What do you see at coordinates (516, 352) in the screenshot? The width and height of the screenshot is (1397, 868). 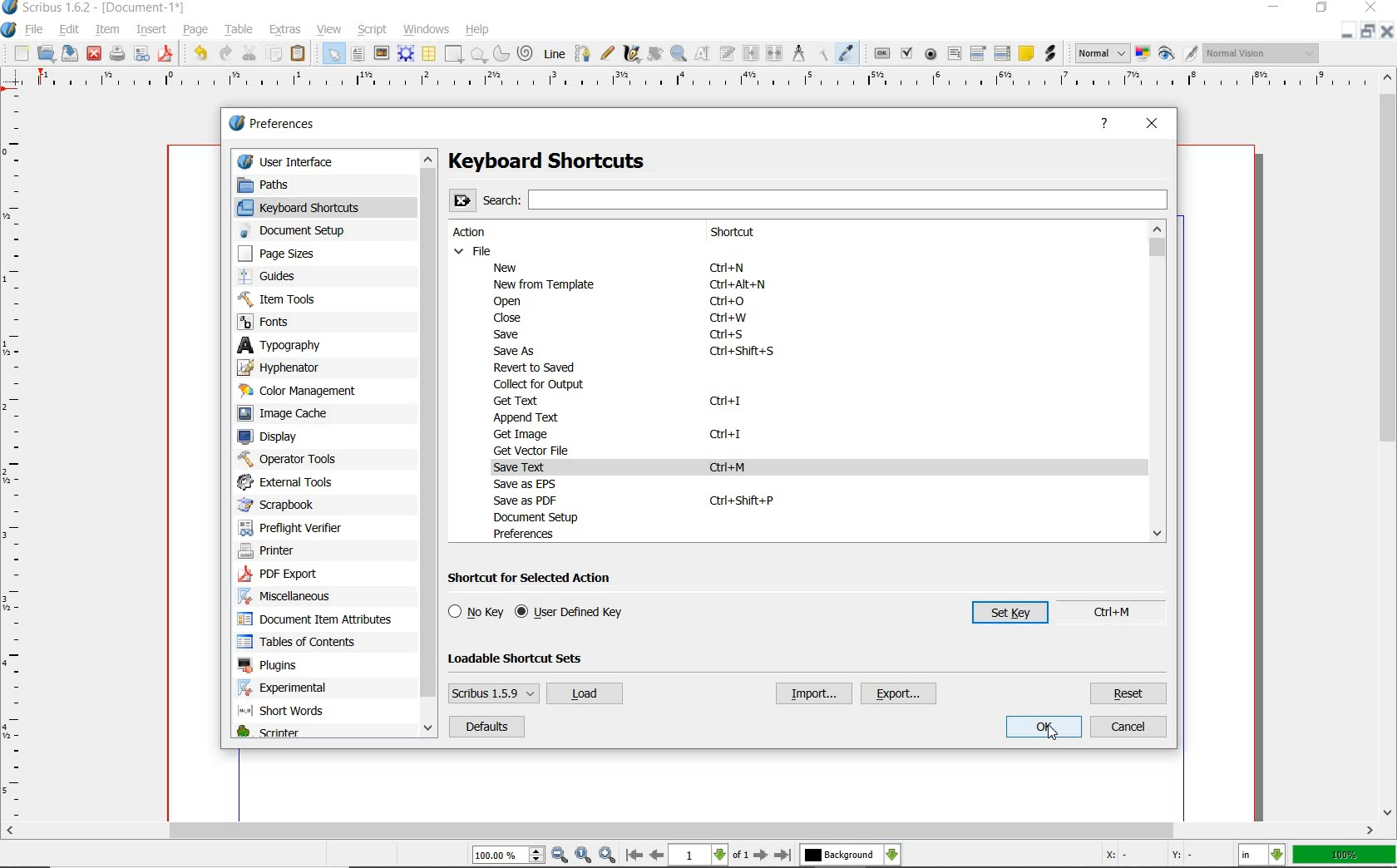 I see `save as` at bounding box center [516, 352].